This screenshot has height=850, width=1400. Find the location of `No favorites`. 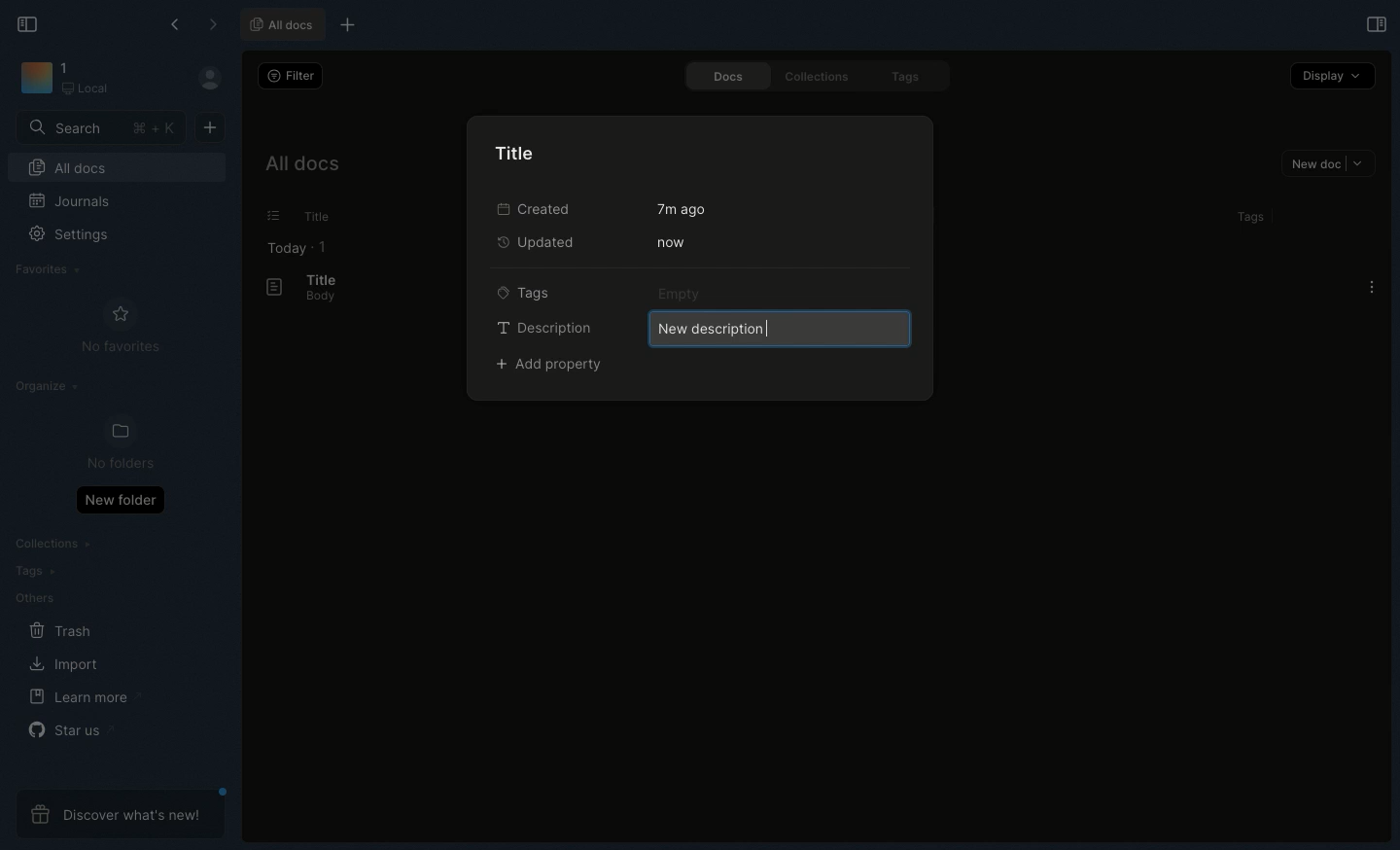

No favorites is located at coordinates (121, 326).